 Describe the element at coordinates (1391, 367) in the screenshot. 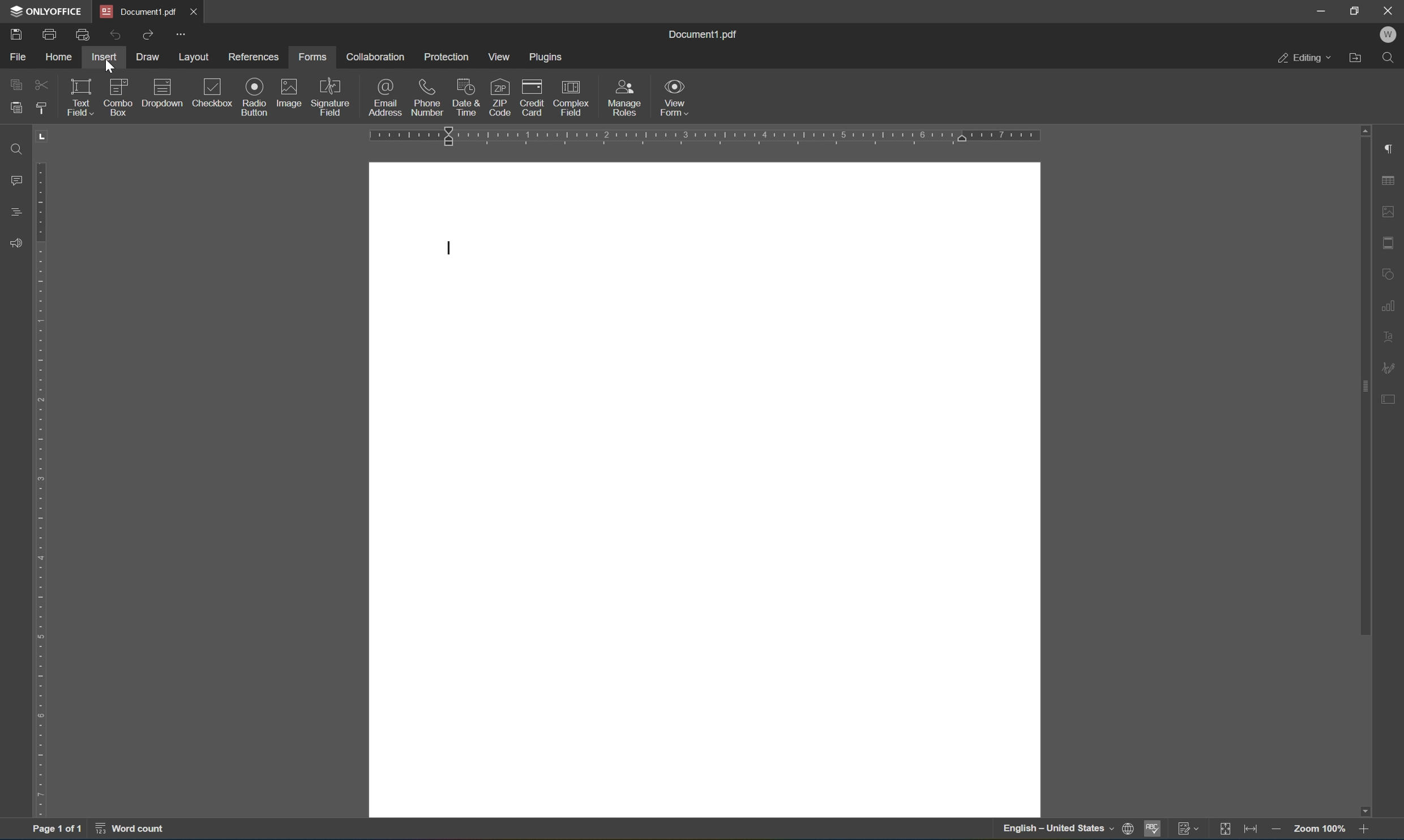

I see `signature settings` at that location.